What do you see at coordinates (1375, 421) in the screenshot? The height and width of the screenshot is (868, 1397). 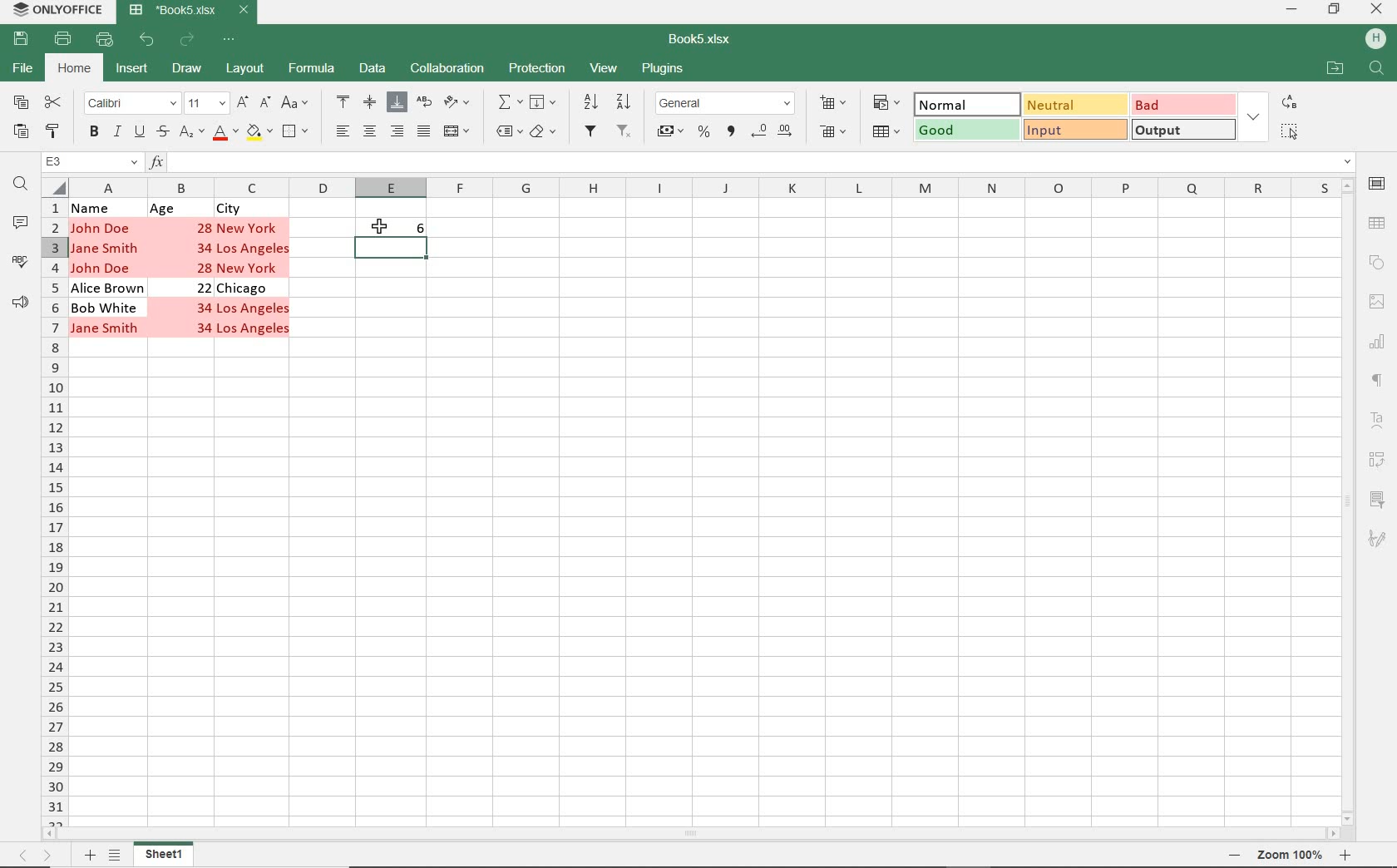 I see `TEXTART` at bounding box center [1375, 421].